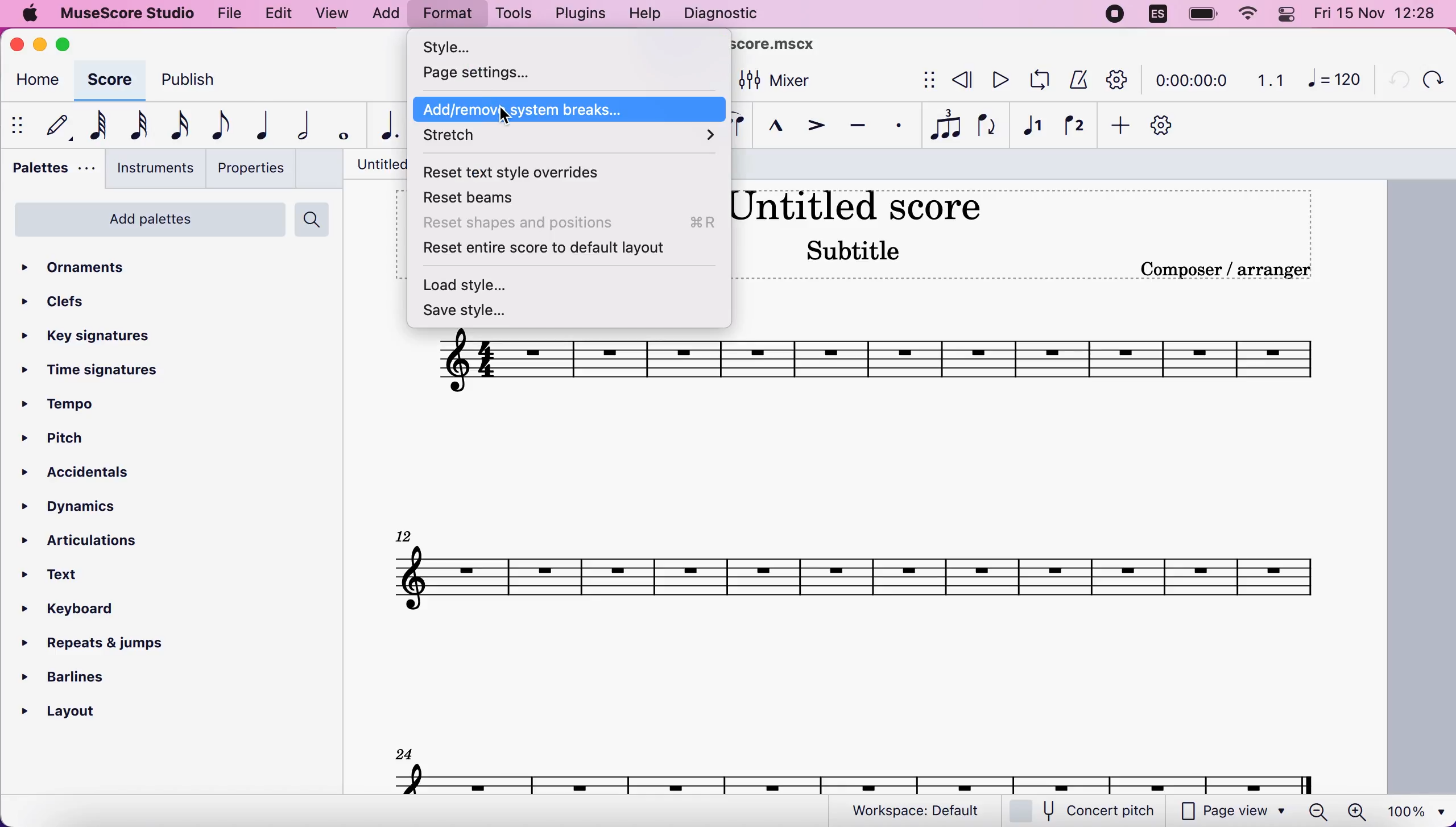 Image resolution: width=1456 pixels, height=827 pixels. I want to click on tools, so click(512, 15).